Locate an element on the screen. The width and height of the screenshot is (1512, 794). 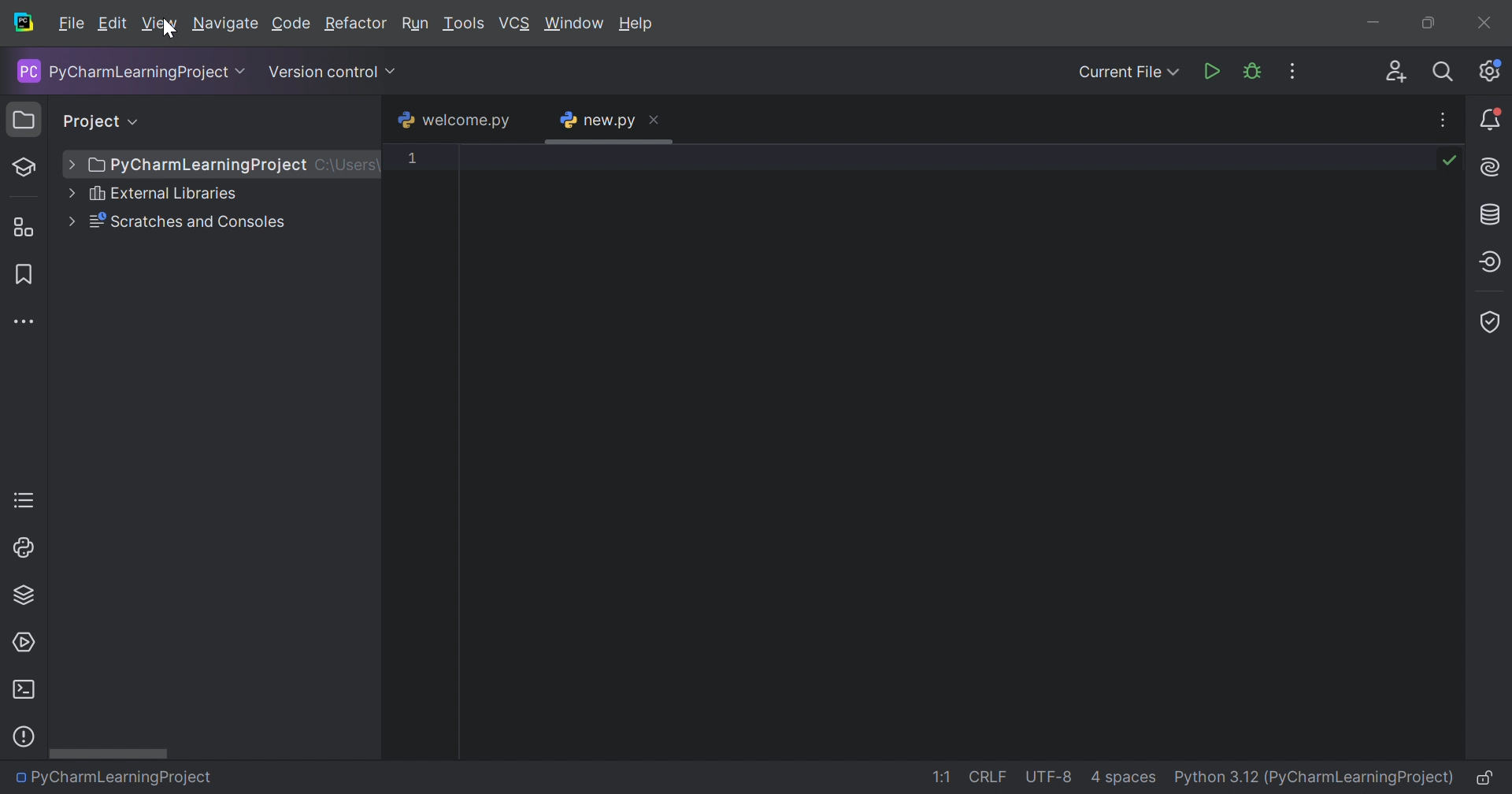
C:/Users is located at coordinates (349, 165).